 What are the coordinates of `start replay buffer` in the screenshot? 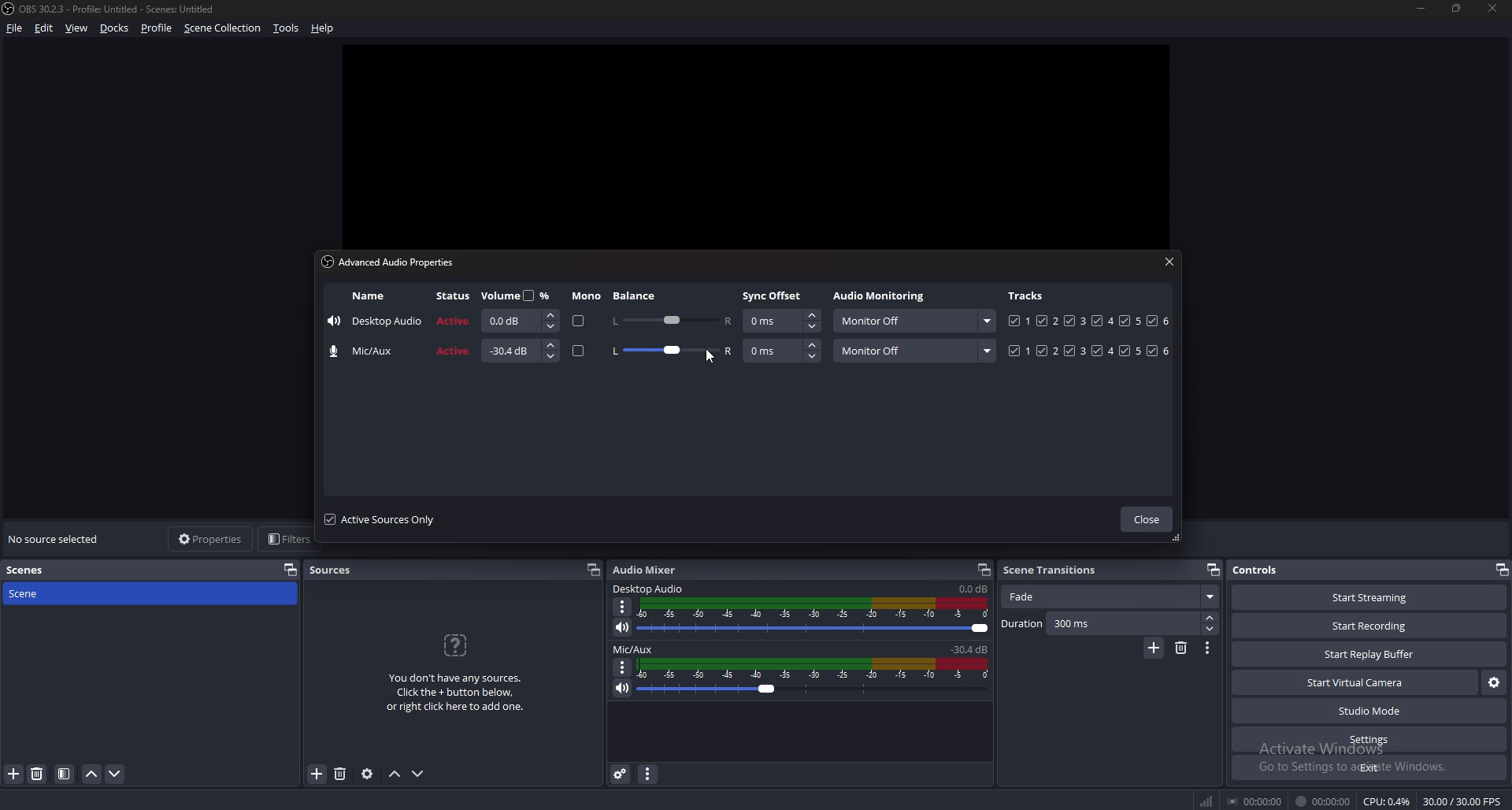 It's located at (1368, 653).